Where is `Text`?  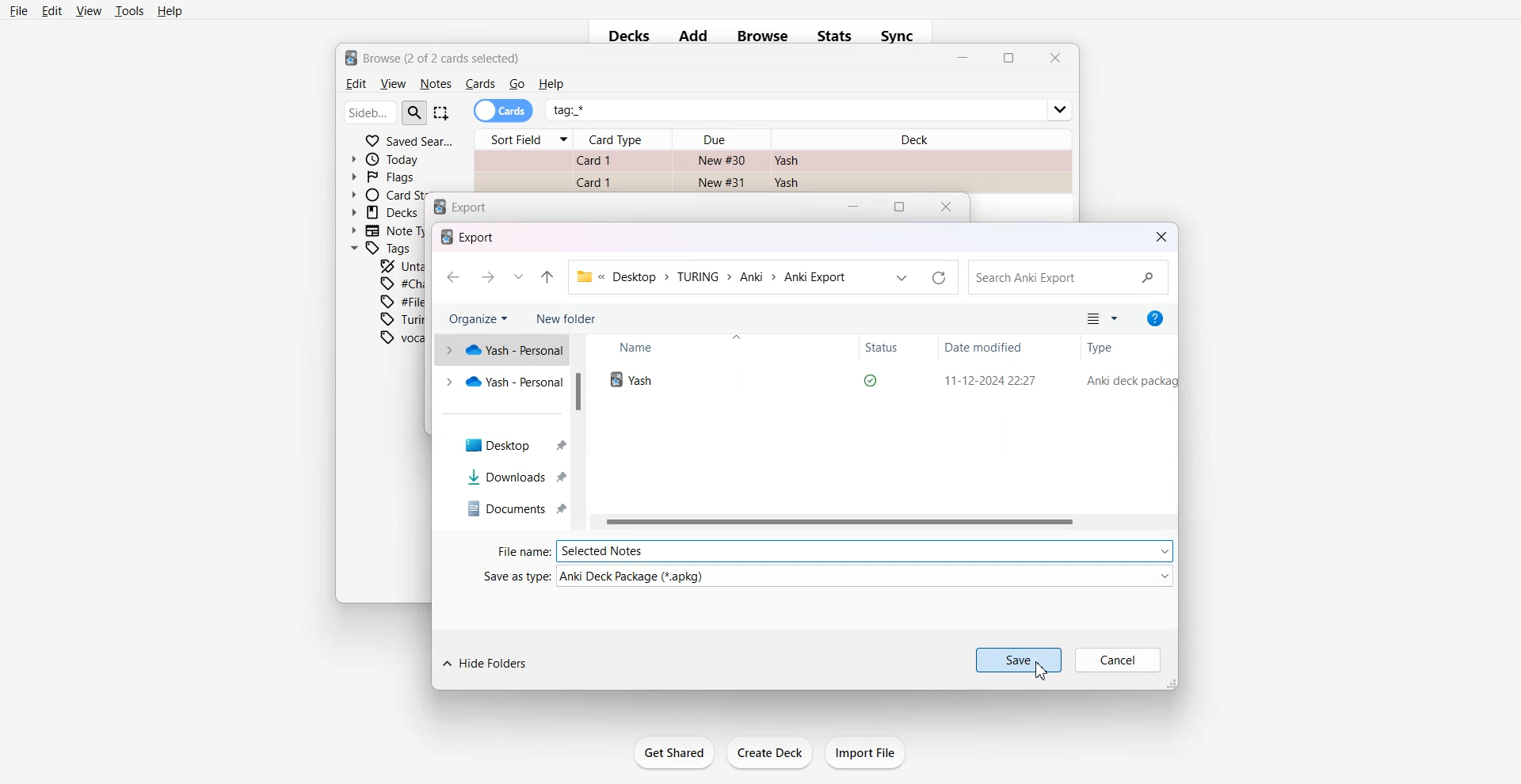
Text is located at coordinates (433, 56).